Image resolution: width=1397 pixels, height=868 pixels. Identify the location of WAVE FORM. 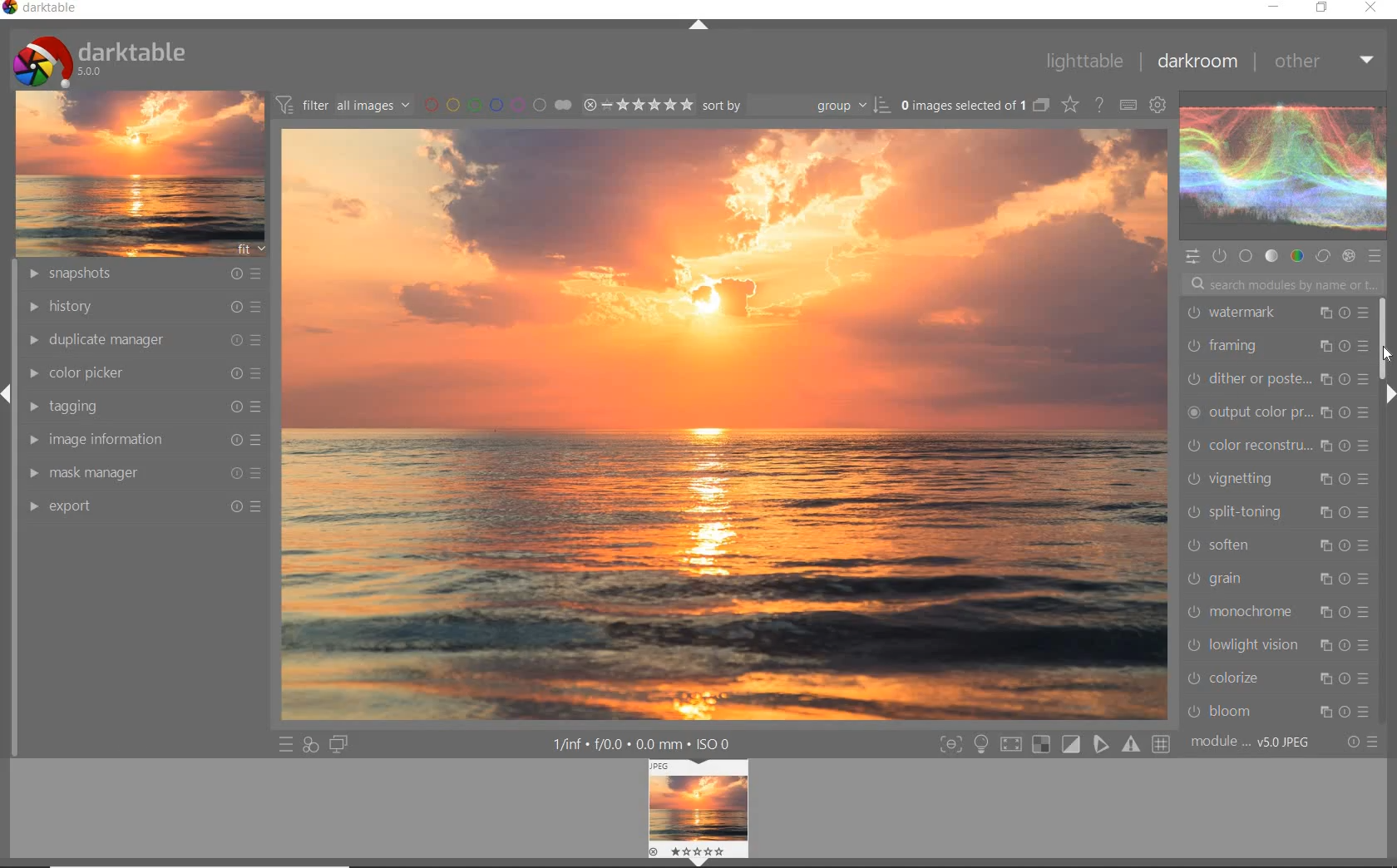
(1281, 168).